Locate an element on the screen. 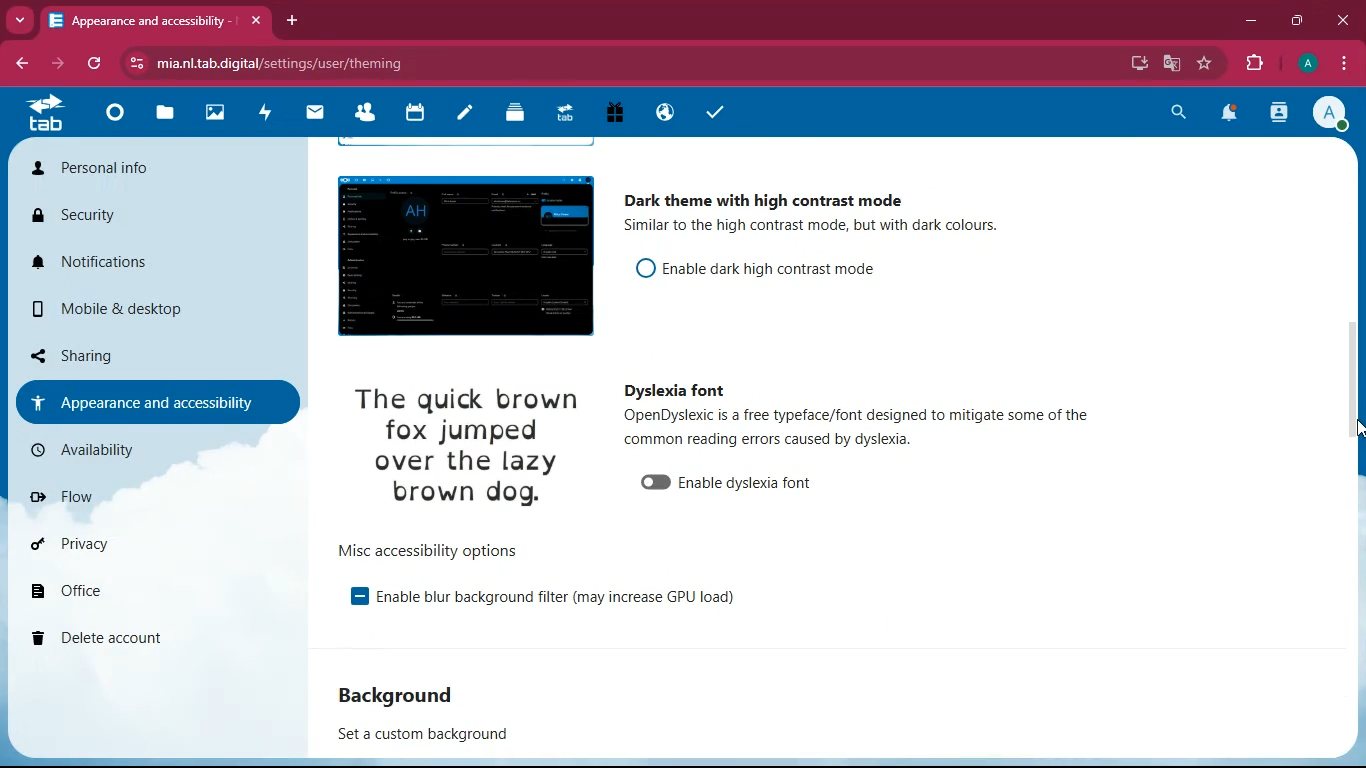 The image size is (1366, 768). back is located at coordinates (21, 65).